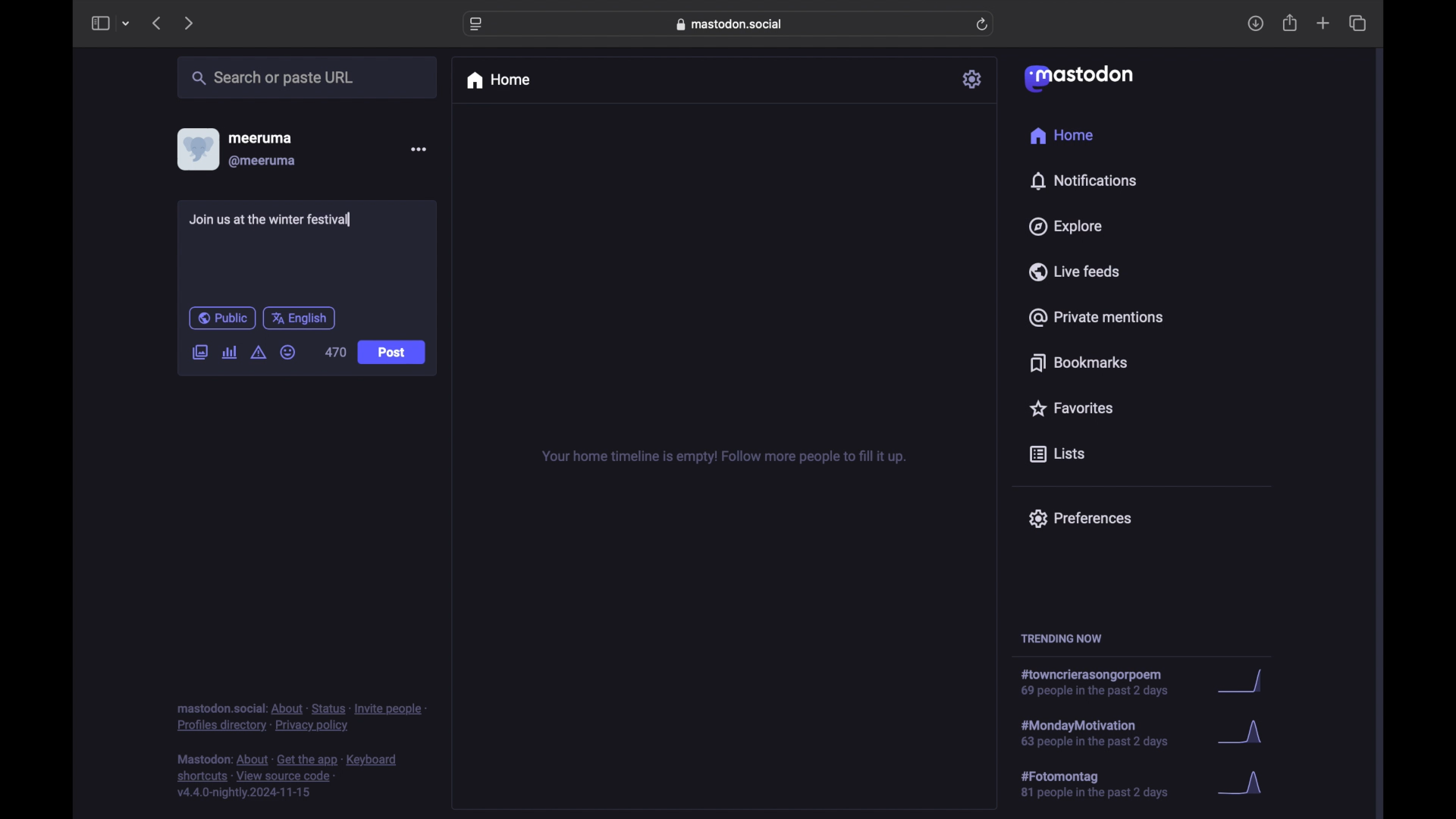 The image size is (1456, 819). Describe the element at coordinates (302, 717) in the screenshot. I see `footnote` at that location.